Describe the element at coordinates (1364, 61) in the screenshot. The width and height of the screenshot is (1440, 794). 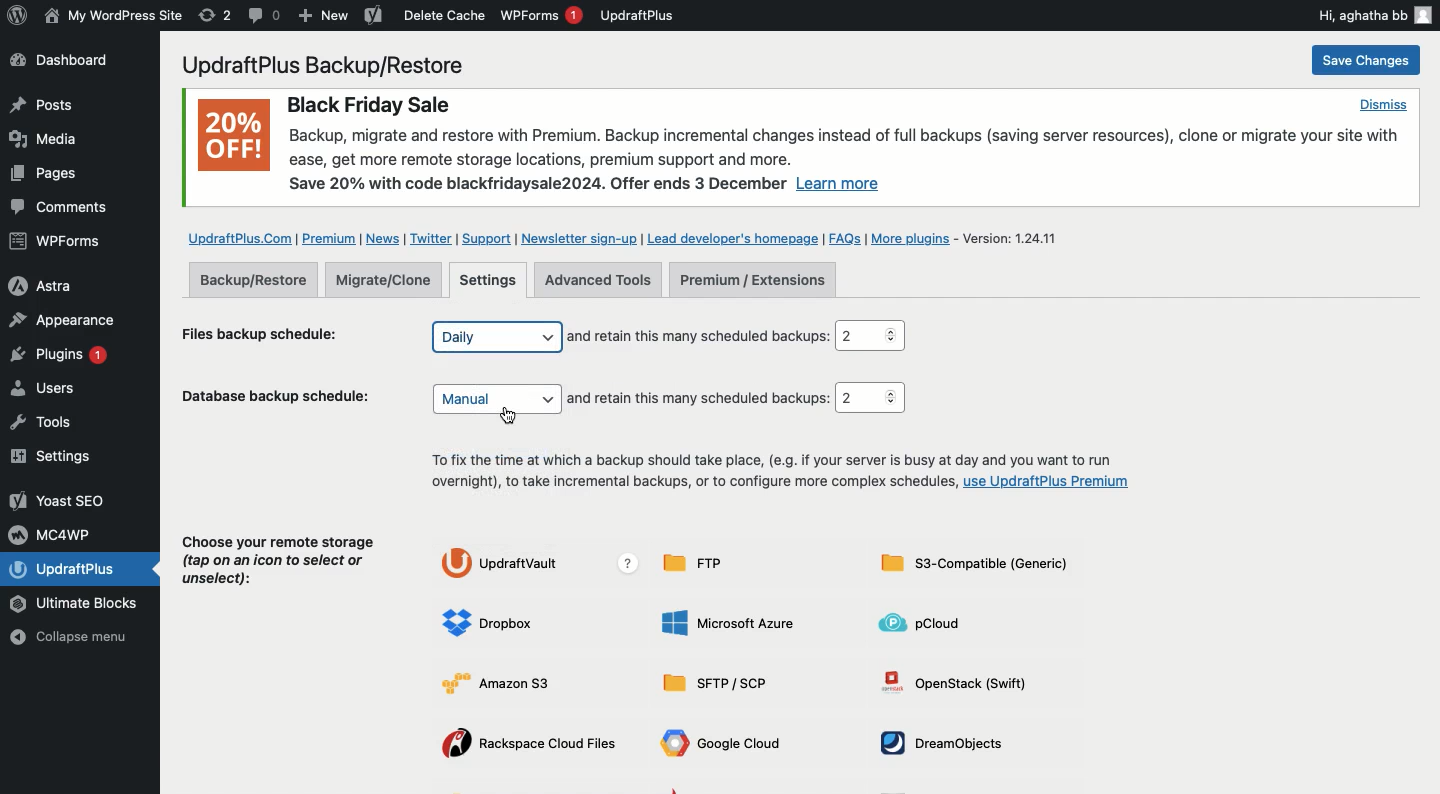
I see `Save change` at that location.